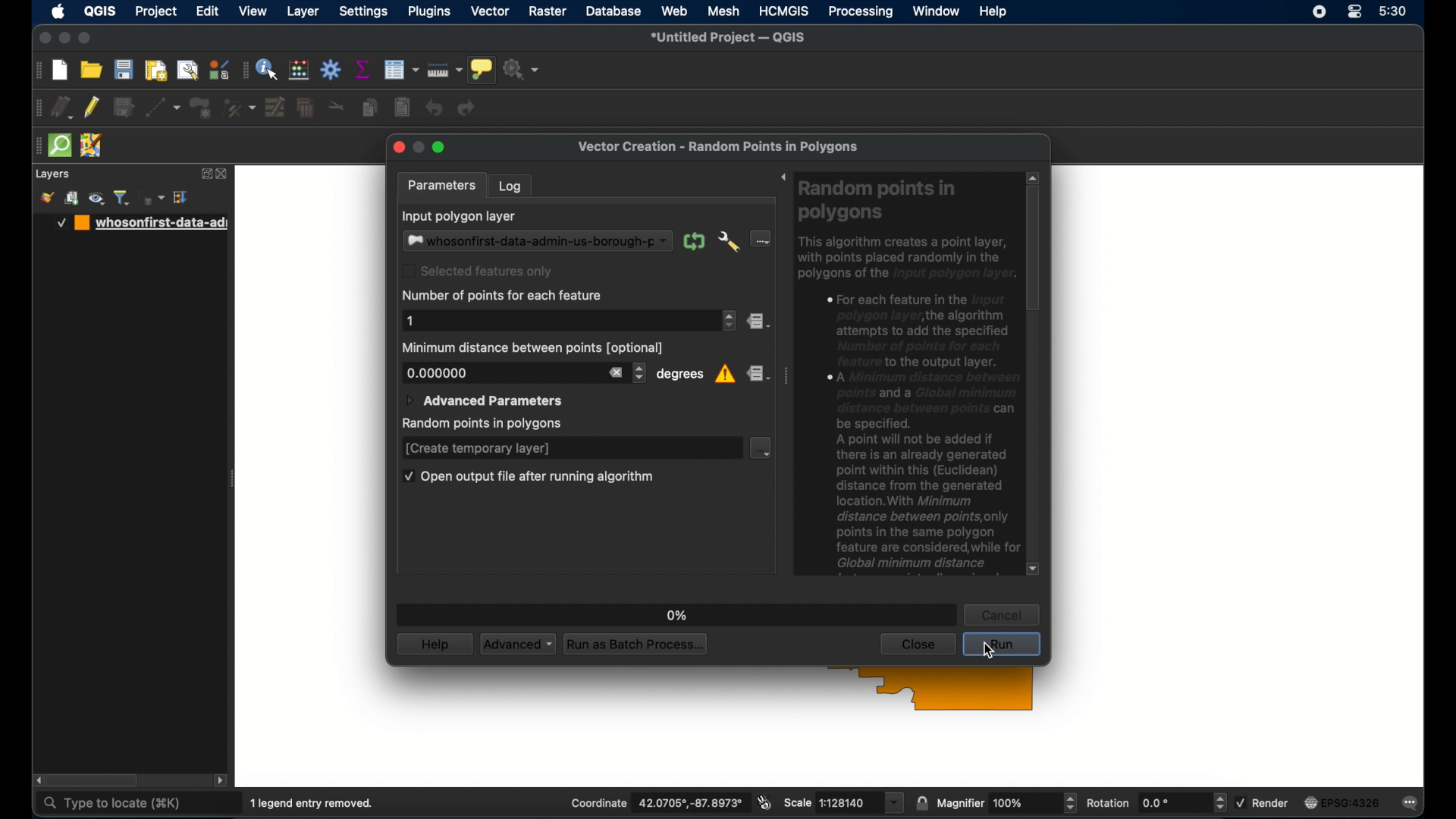 Image resolution: width=1456 pixels, height=819 pixels. I want to click on close, so click(397, 146).